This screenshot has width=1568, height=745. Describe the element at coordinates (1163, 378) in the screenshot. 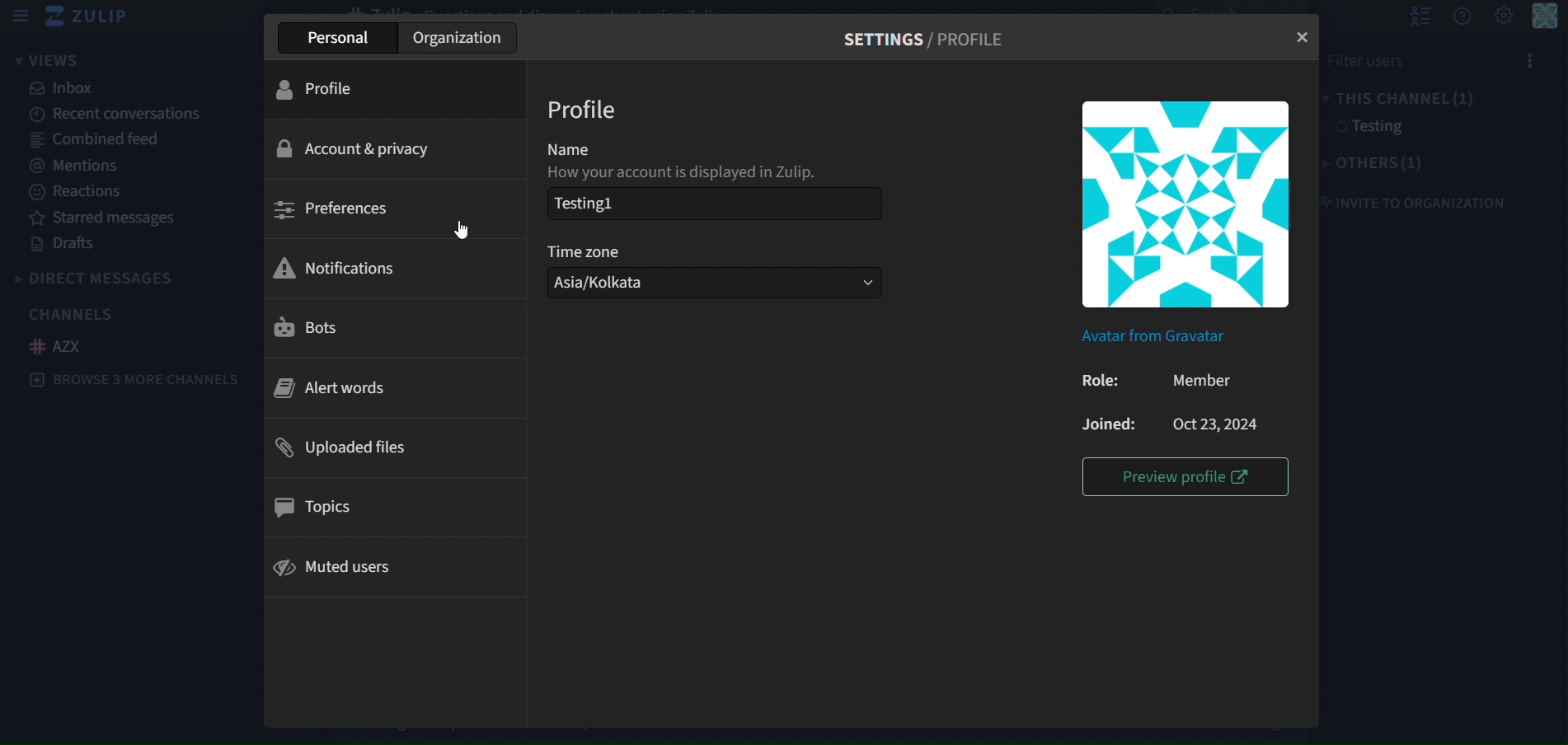

I see `Role: member` at that location.